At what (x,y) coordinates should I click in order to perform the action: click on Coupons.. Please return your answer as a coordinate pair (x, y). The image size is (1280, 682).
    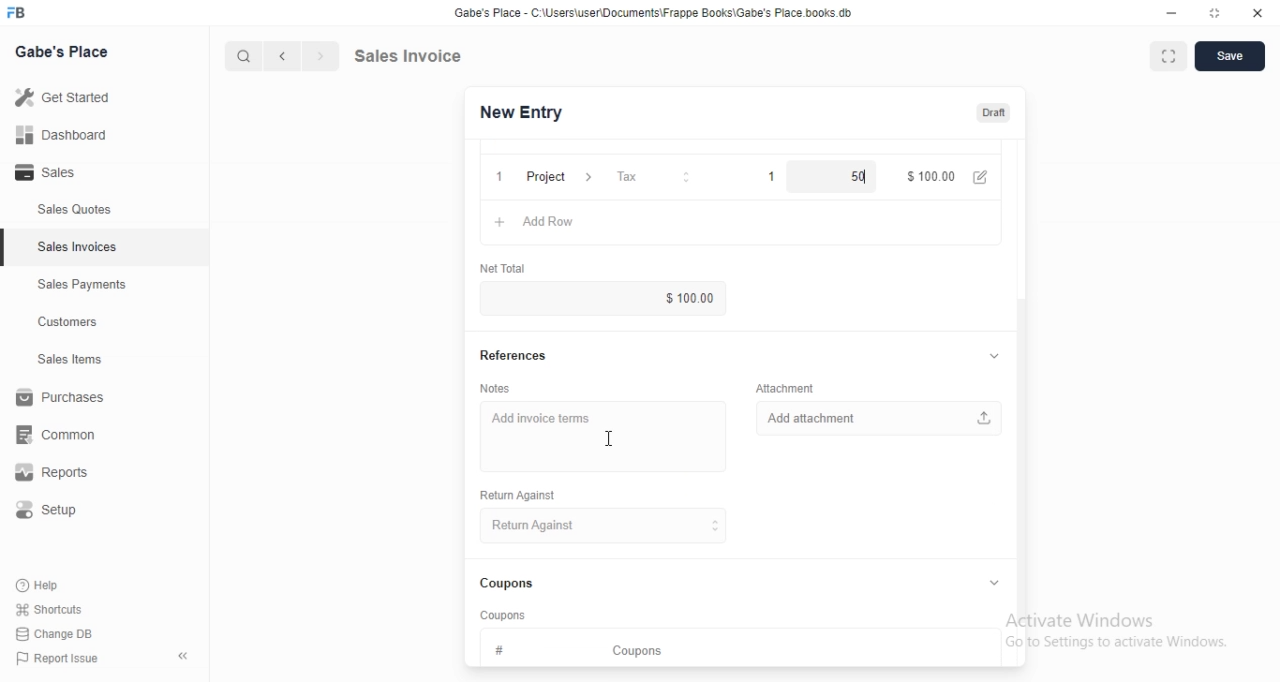
    Looking at the image, I should click on (508, 584).